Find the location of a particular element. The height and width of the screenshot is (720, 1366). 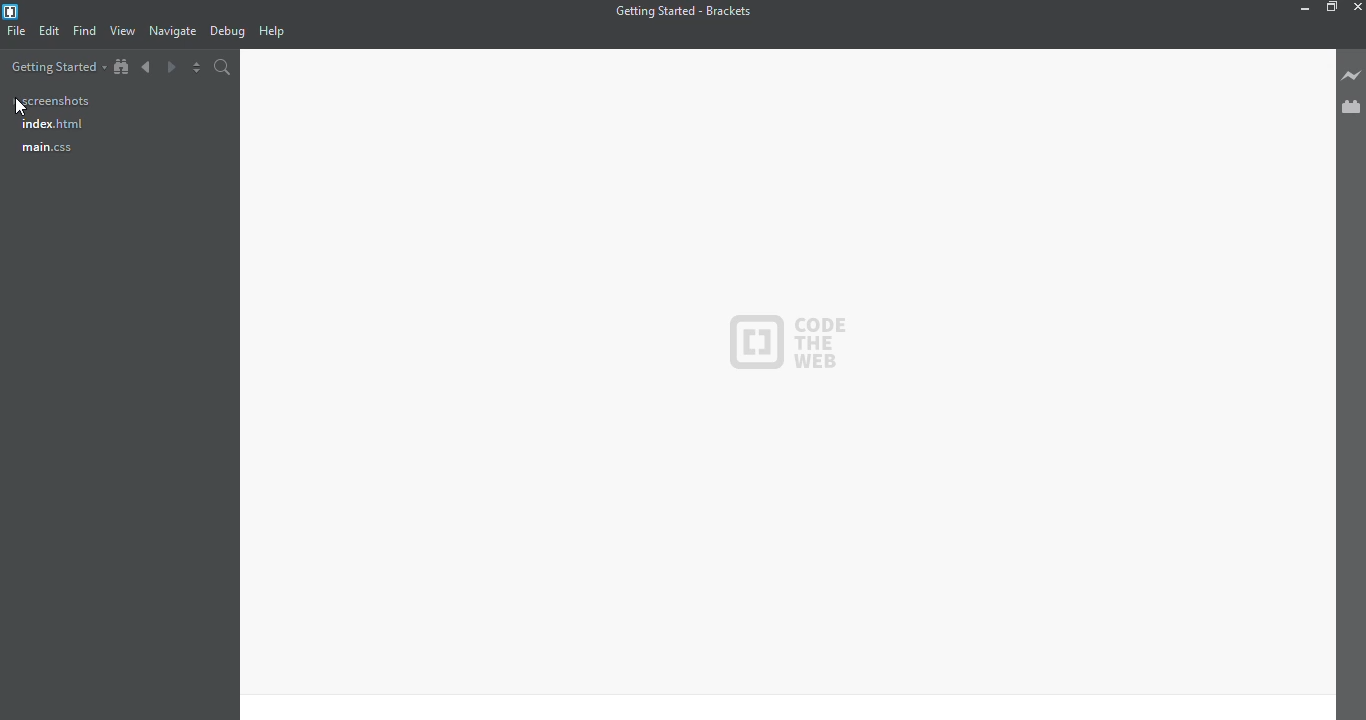

index.html (Getting Started) - Brackets is located at coordinates (688, 10).